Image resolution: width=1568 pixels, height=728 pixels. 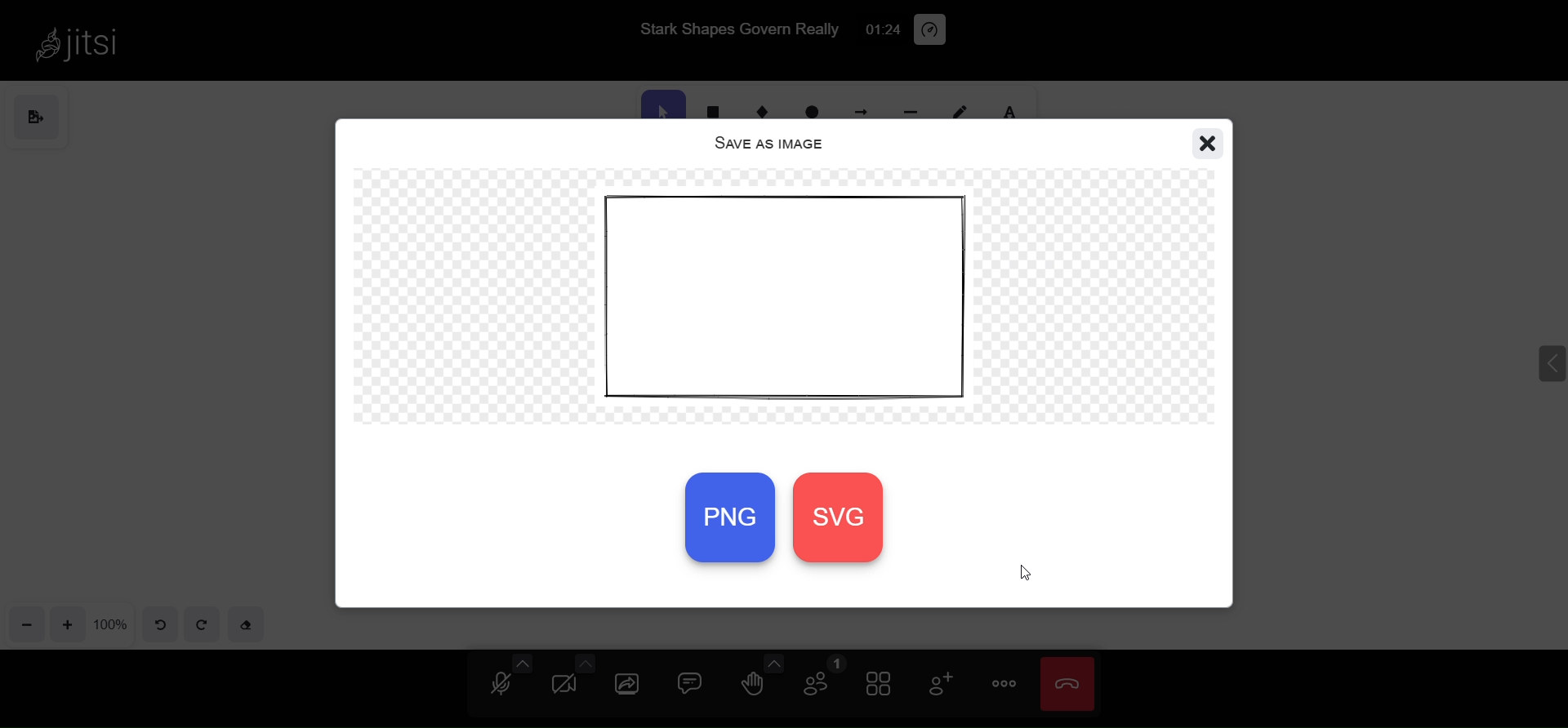 What do you see at coordinates (852, 519) in the screenshot?
I see `svg` at bounding box center [852, 519].